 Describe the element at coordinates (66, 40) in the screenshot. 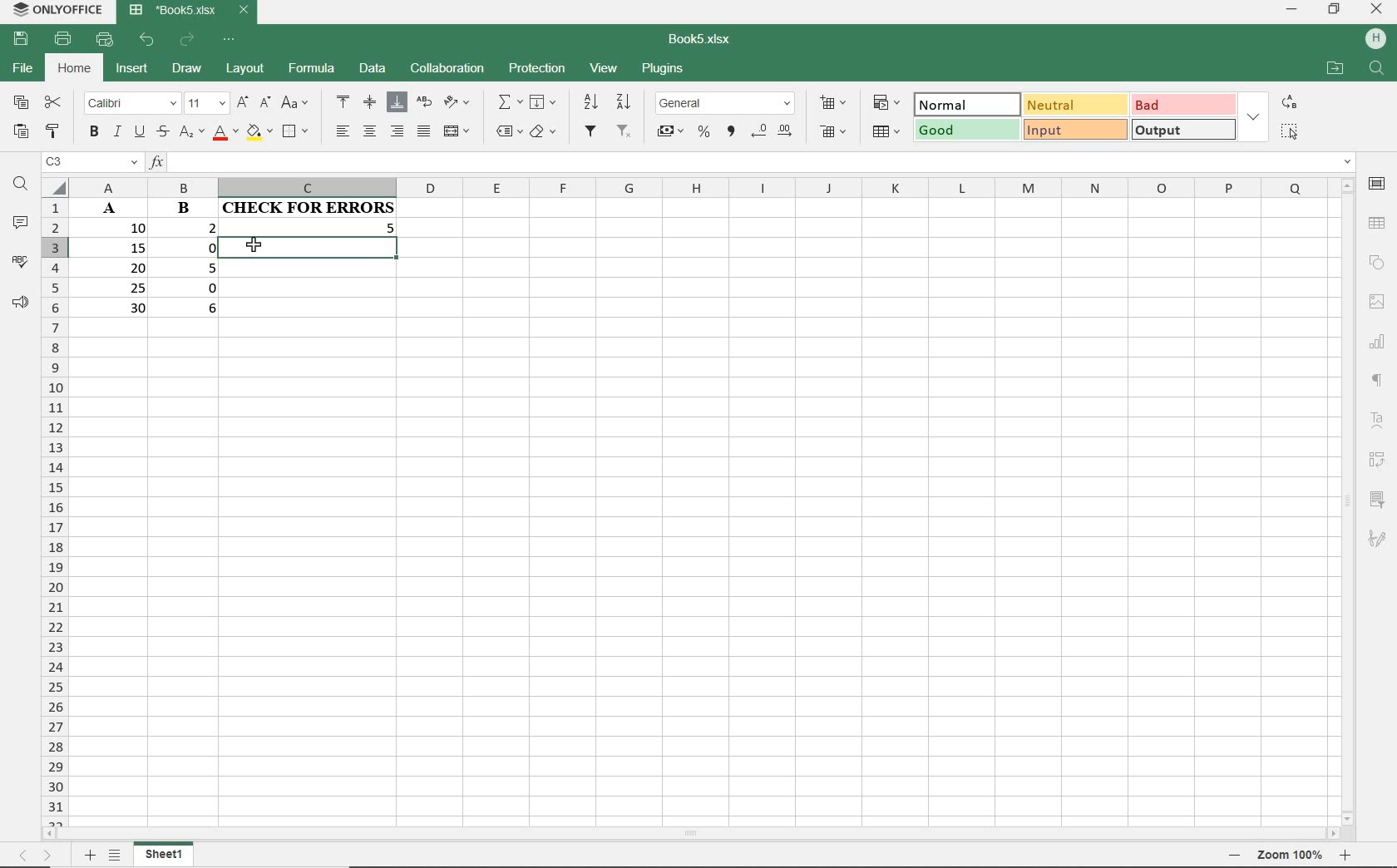

I see `PRINT` at that location.